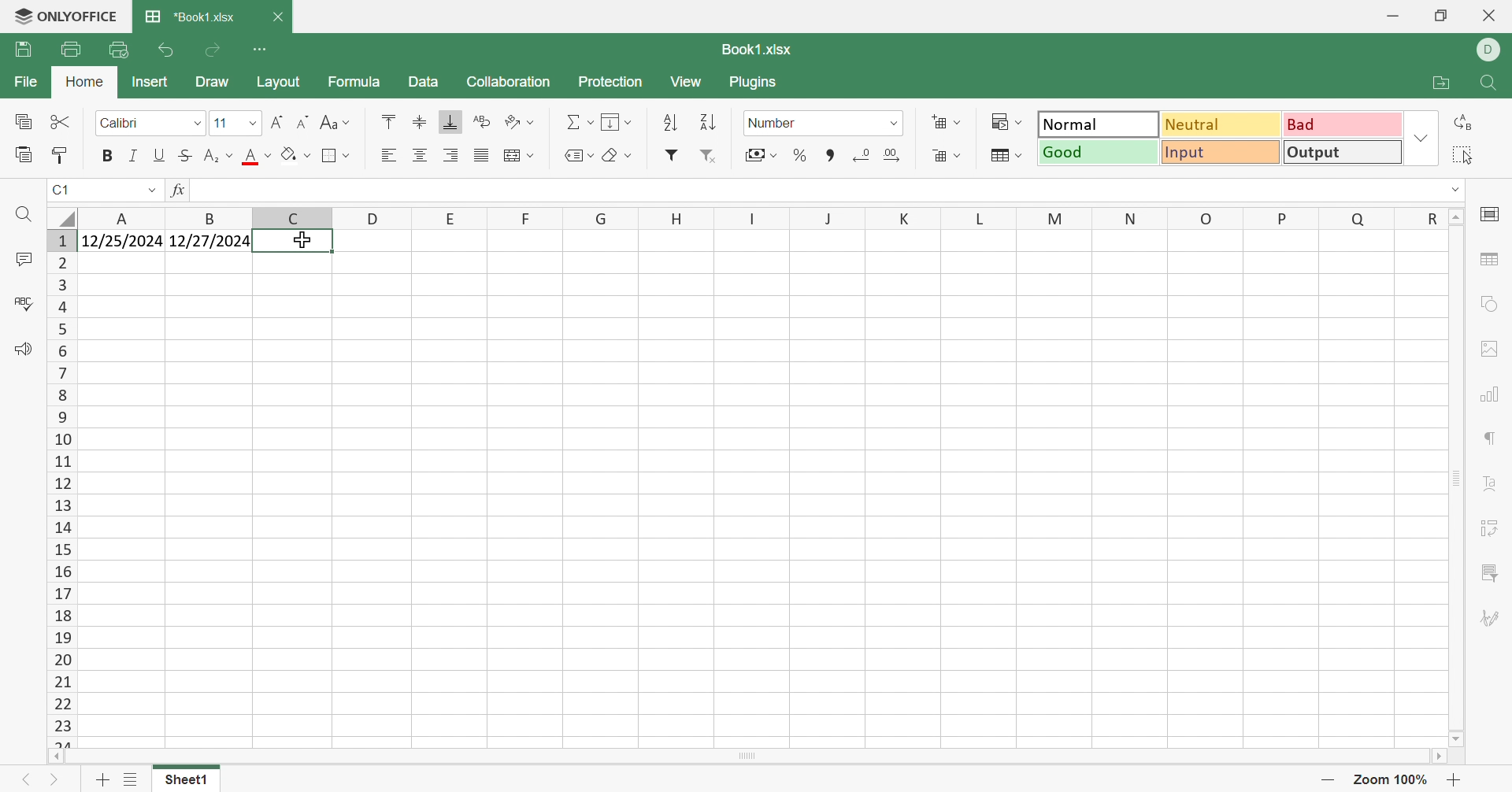 Image resolution: width=1512 pixels, height=792 pixels. Describe the element at coordinates (63, 124) in the screenshot. I see `Cut` at that location.